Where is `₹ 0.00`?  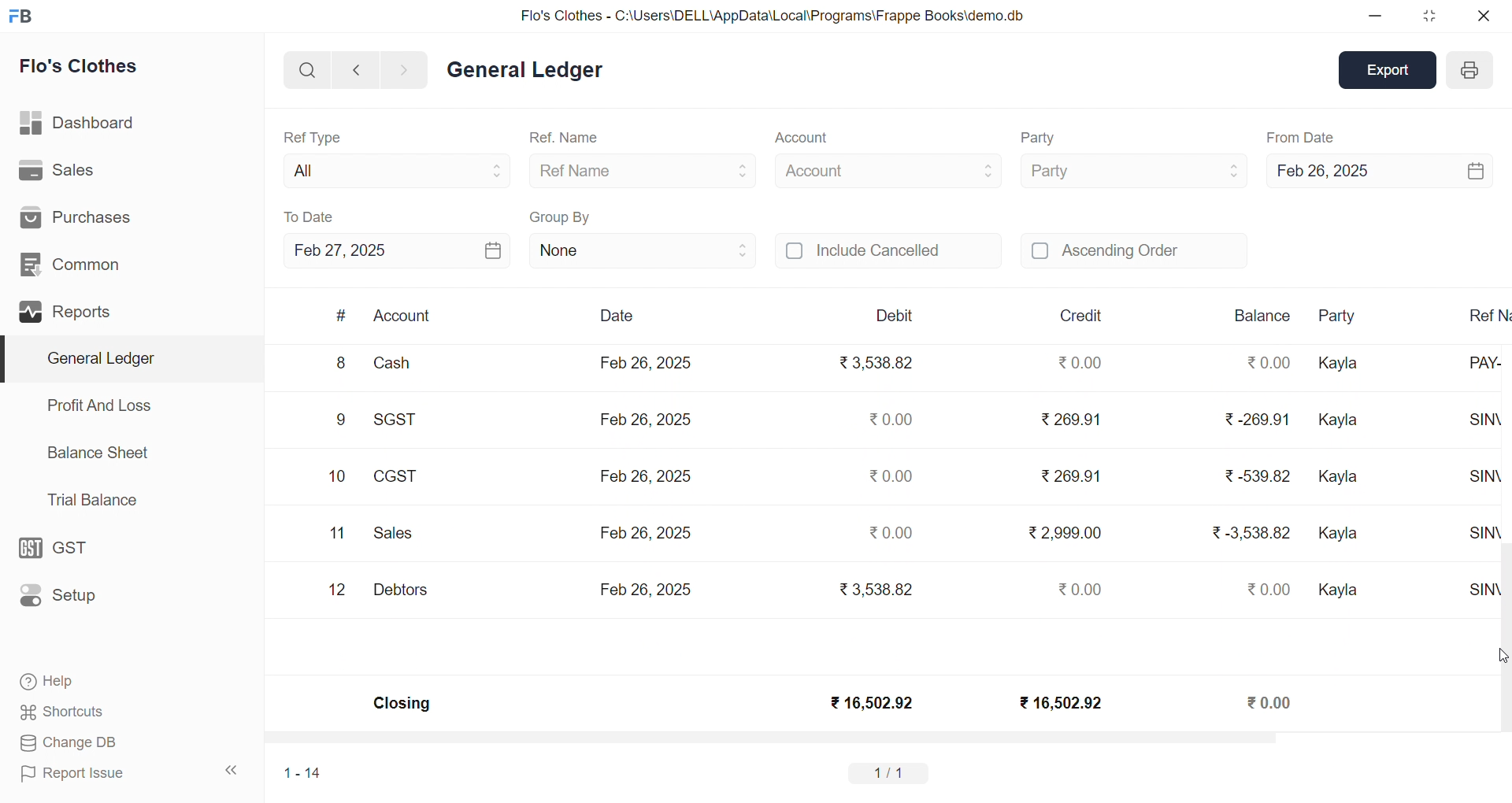
₹ 0.00 is located at coordinates (1266, 362).